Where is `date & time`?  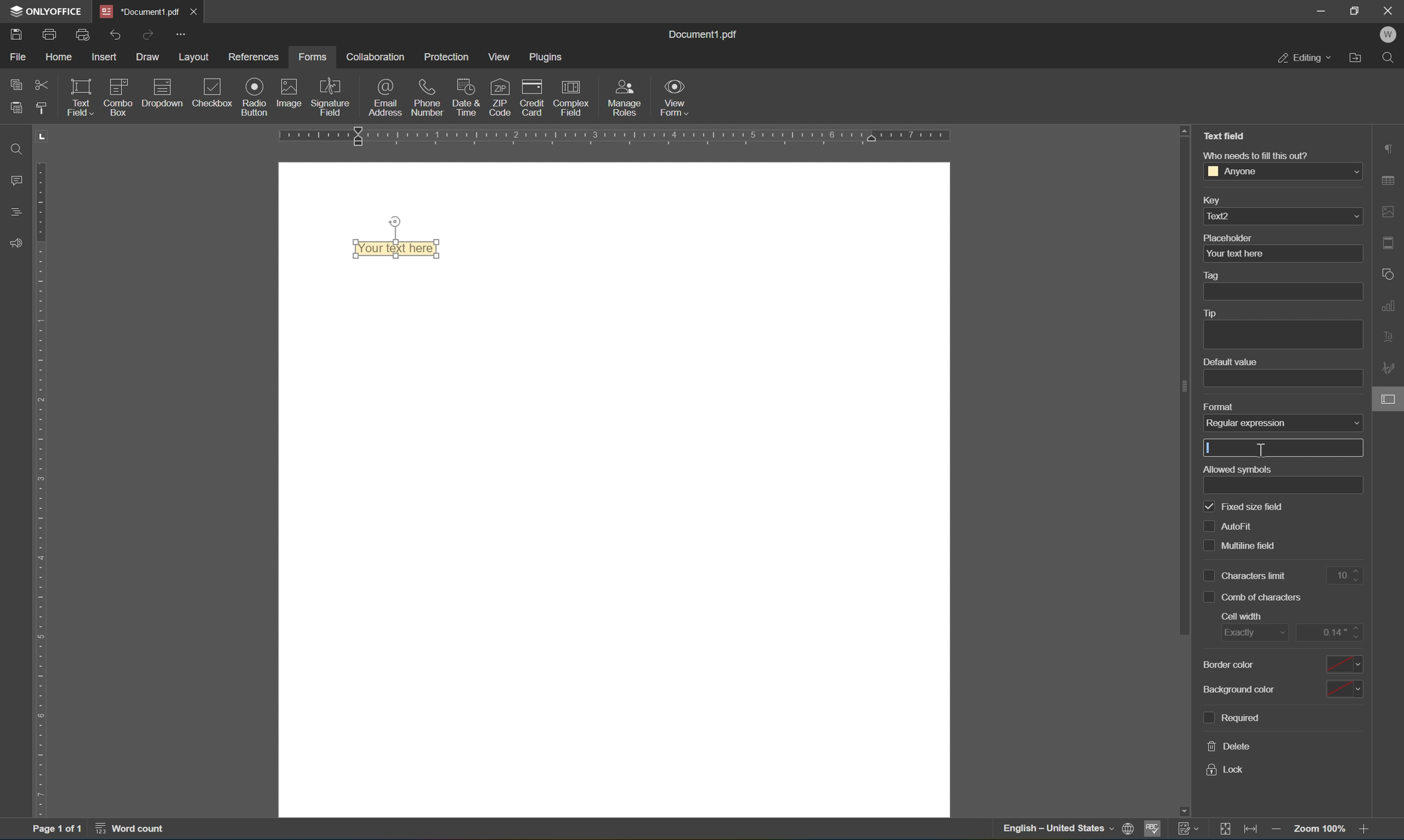
date & time is located at coordinates (466, 96).